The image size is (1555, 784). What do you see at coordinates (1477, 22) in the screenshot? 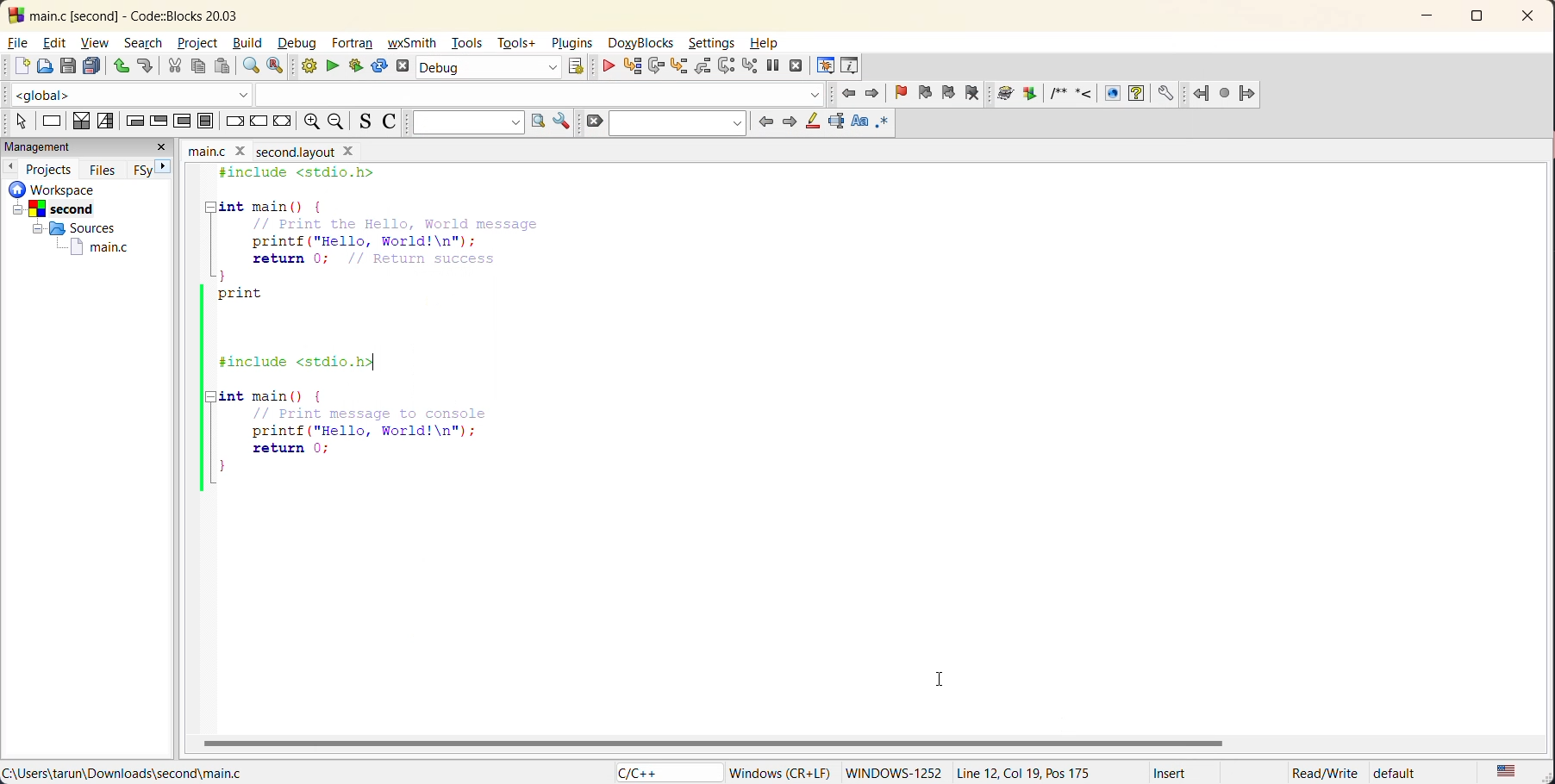
I see `maximize` at bounding box center [1477, 22].